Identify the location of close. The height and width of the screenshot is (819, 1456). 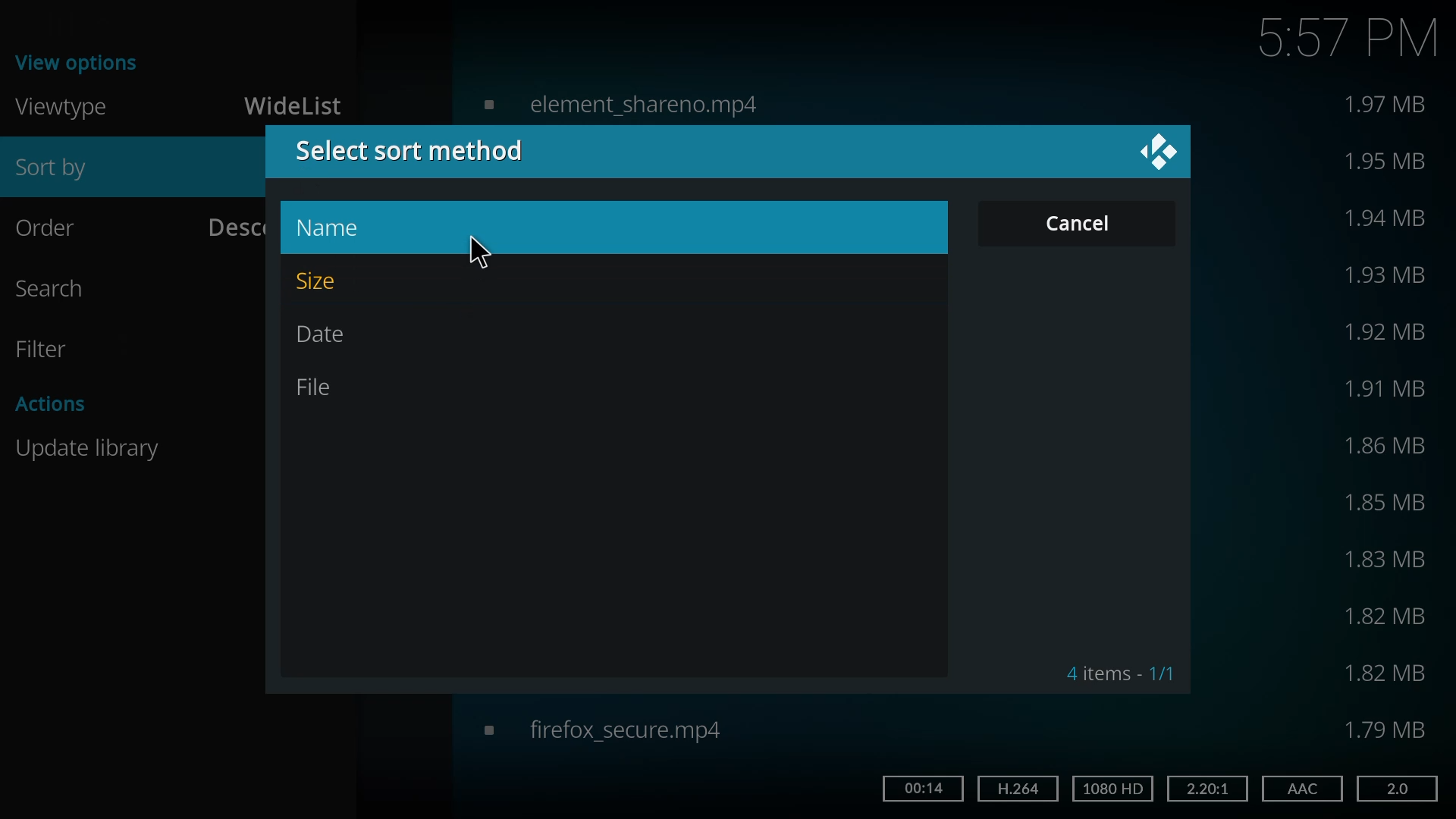
(1157, 150).